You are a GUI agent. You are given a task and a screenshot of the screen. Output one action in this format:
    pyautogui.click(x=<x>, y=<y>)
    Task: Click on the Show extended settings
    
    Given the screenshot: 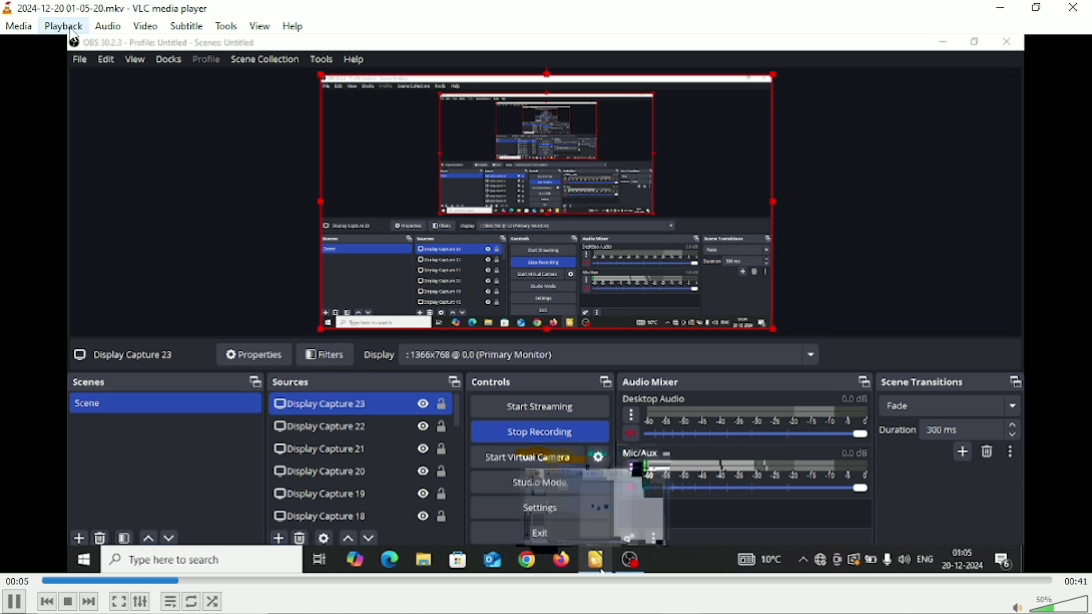 What is the action you would take?
    pyautogui.click(x=140, y=601)
    